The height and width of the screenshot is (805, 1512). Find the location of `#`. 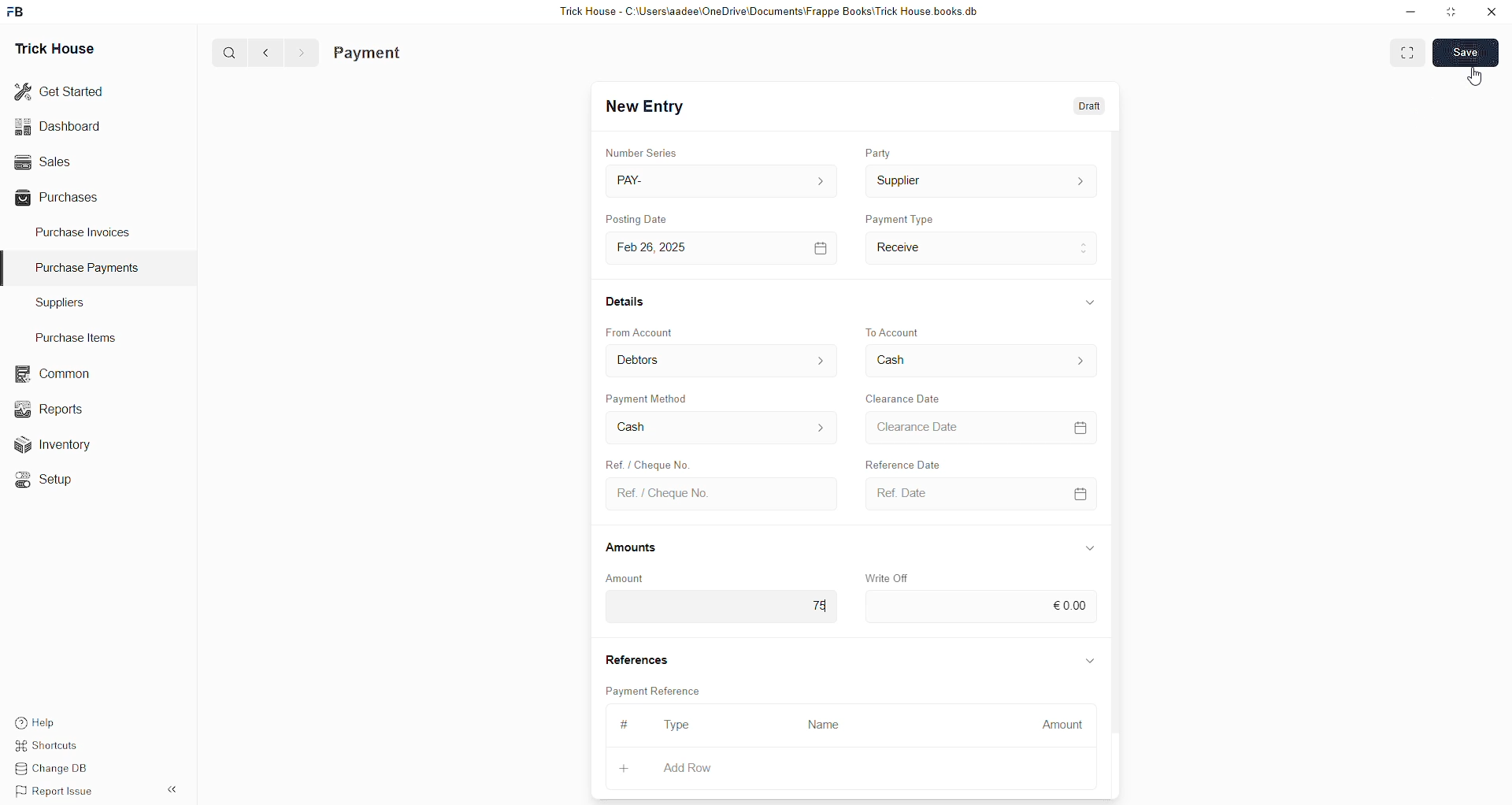

# is located at coordinates (628, 724).